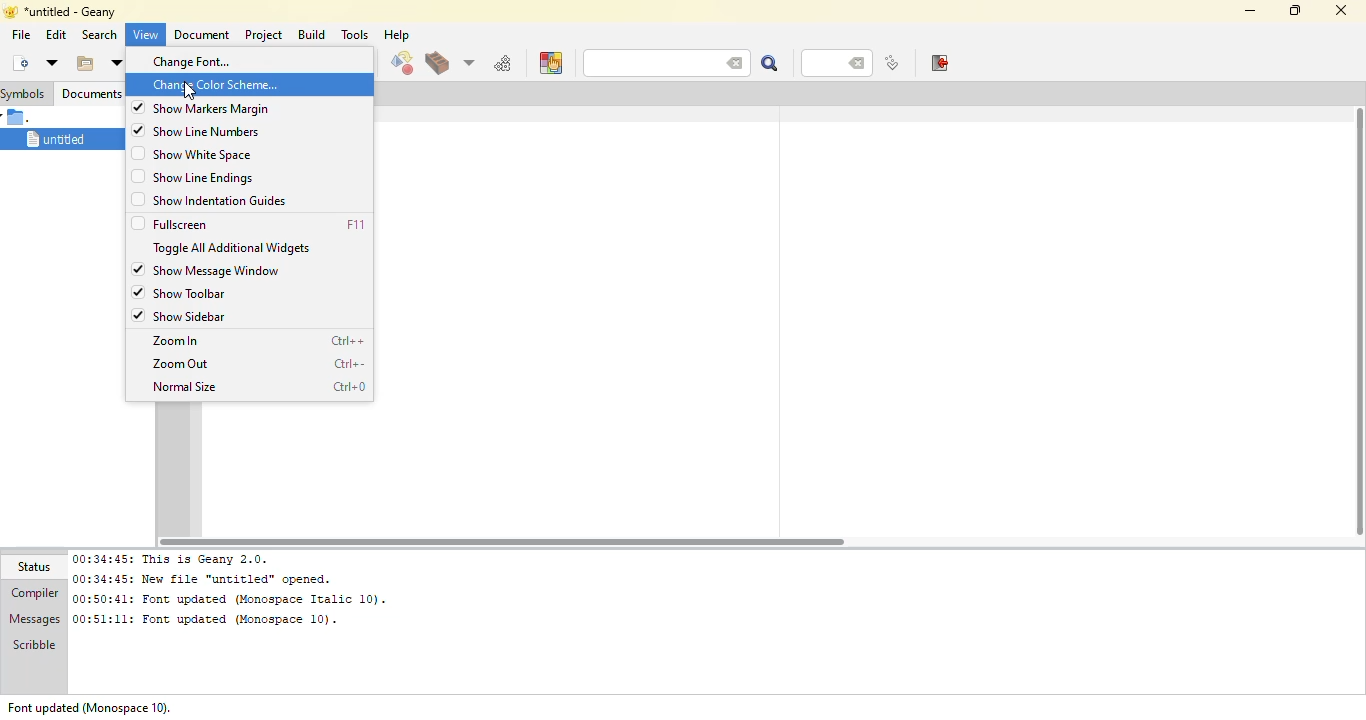  Describe the element at coordinates (311, 34) in the screenshot. I see `build` at that location.